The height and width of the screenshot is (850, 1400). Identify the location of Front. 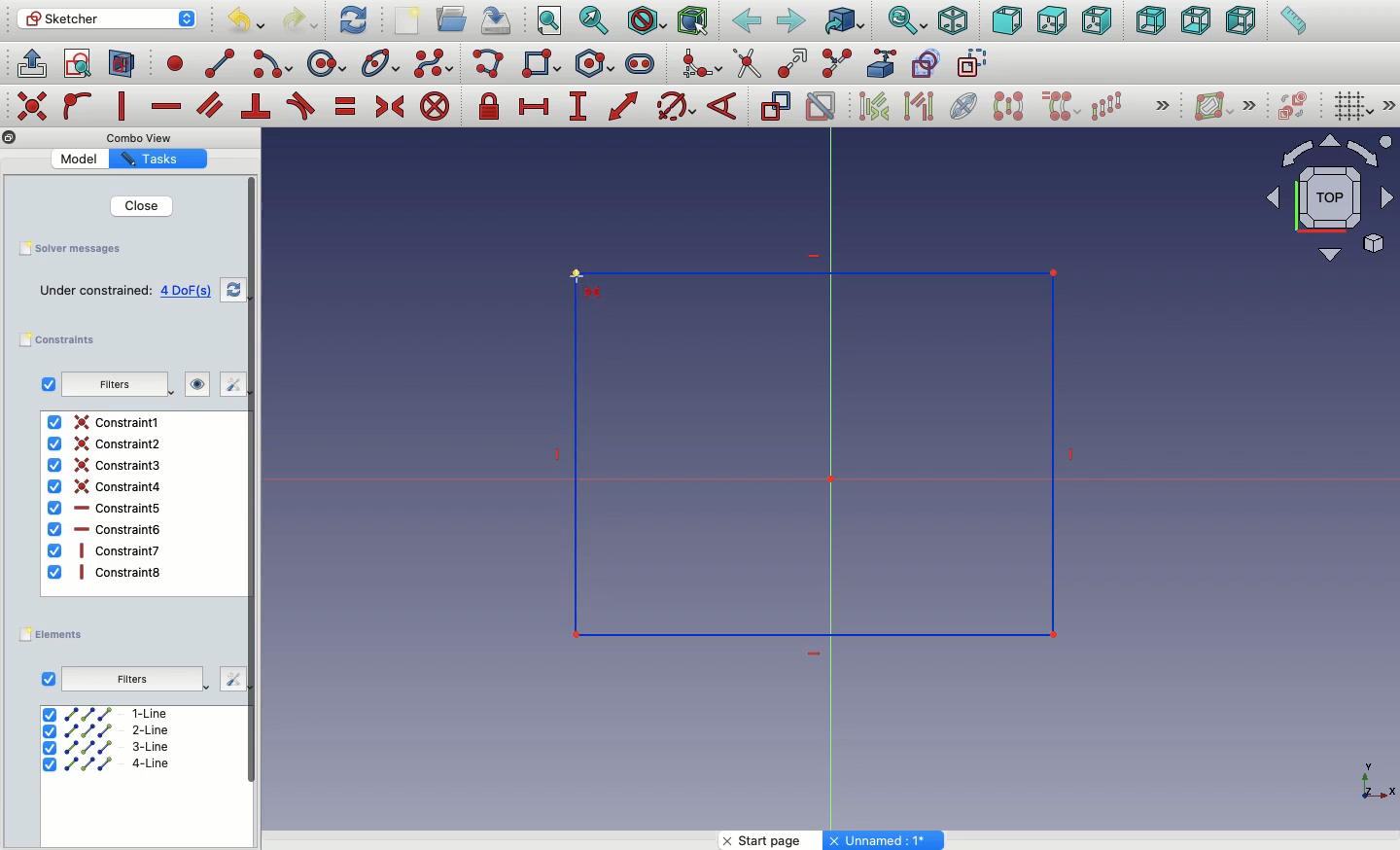
(1007, 22).